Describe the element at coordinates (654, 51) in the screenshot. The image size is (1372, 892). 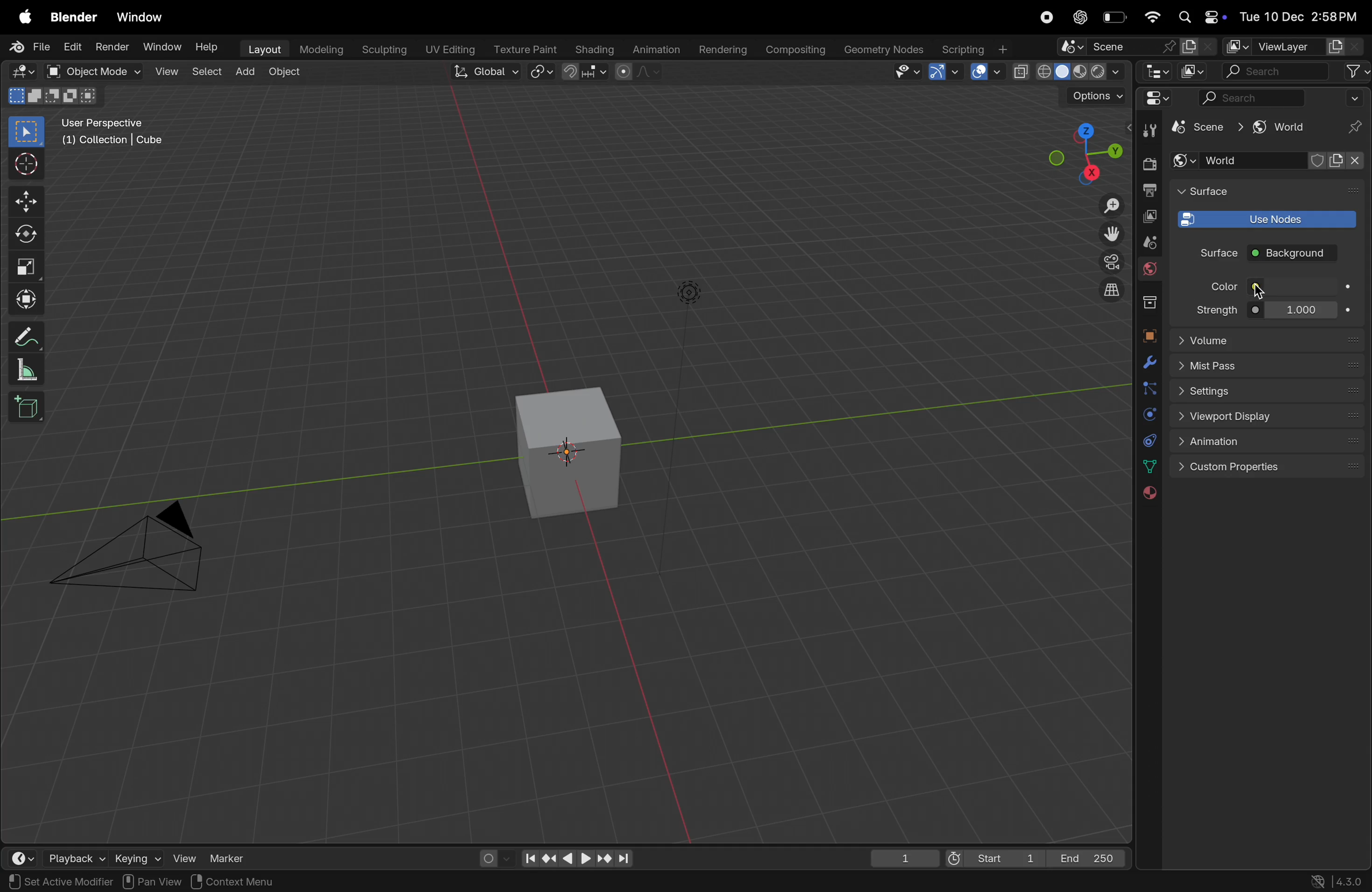
I see `Animation` at that location.